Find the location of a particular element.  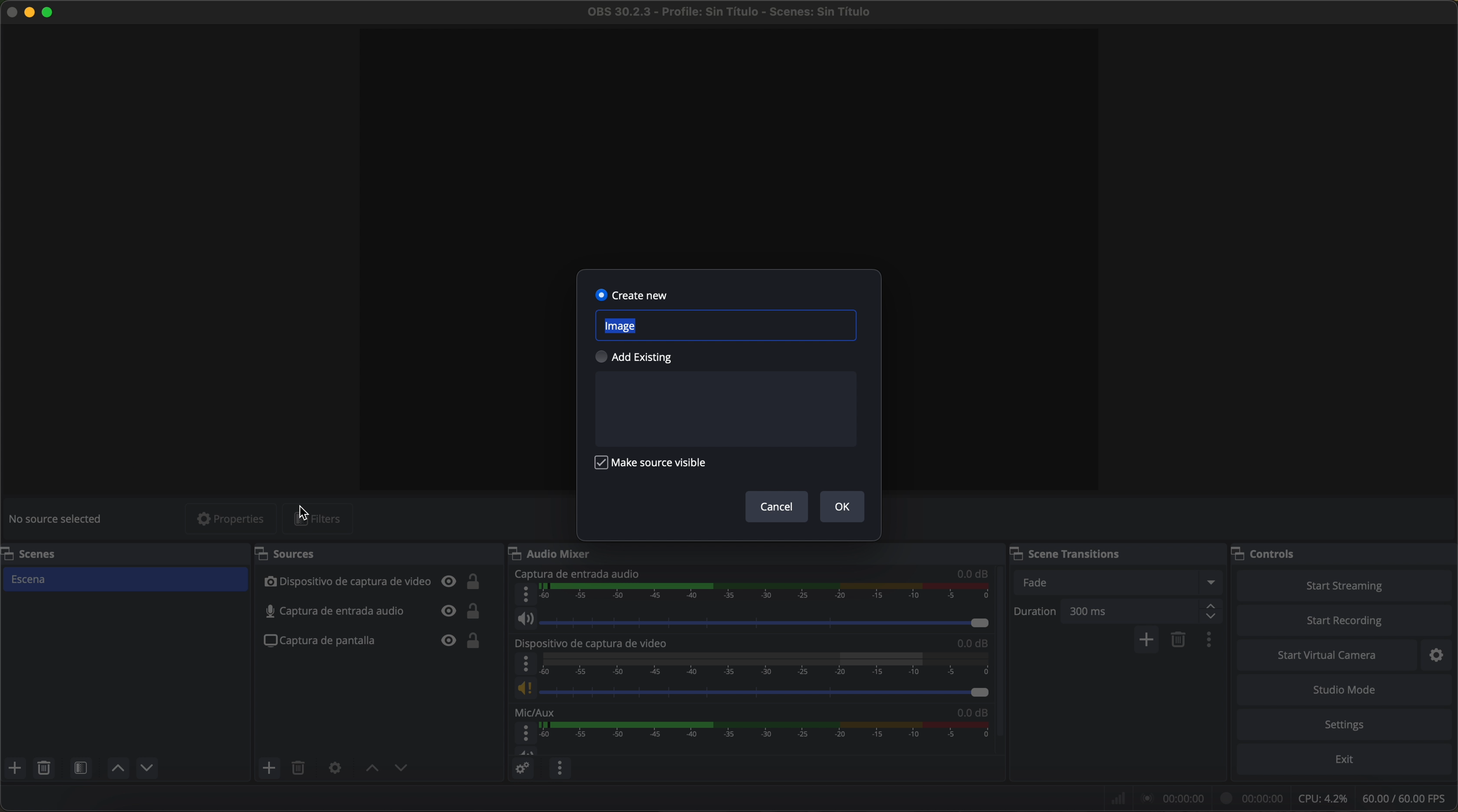

audio input capture is located at coordinates (576, 574).